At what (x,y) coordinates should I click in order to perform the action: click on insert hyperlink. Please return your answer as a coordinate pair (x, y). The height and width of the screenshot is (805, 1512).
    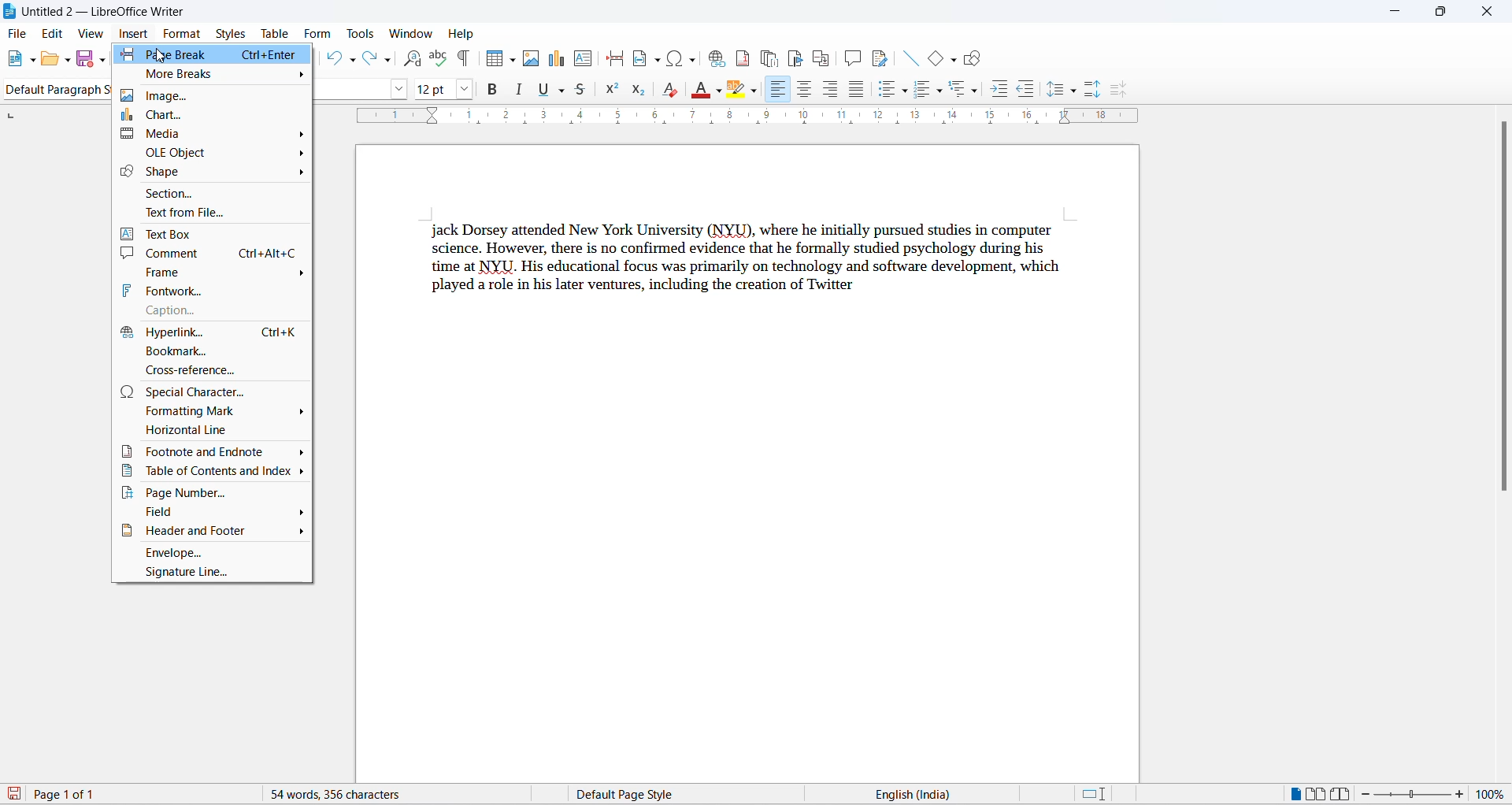
    Looking at the image, I should click on (713, 59).